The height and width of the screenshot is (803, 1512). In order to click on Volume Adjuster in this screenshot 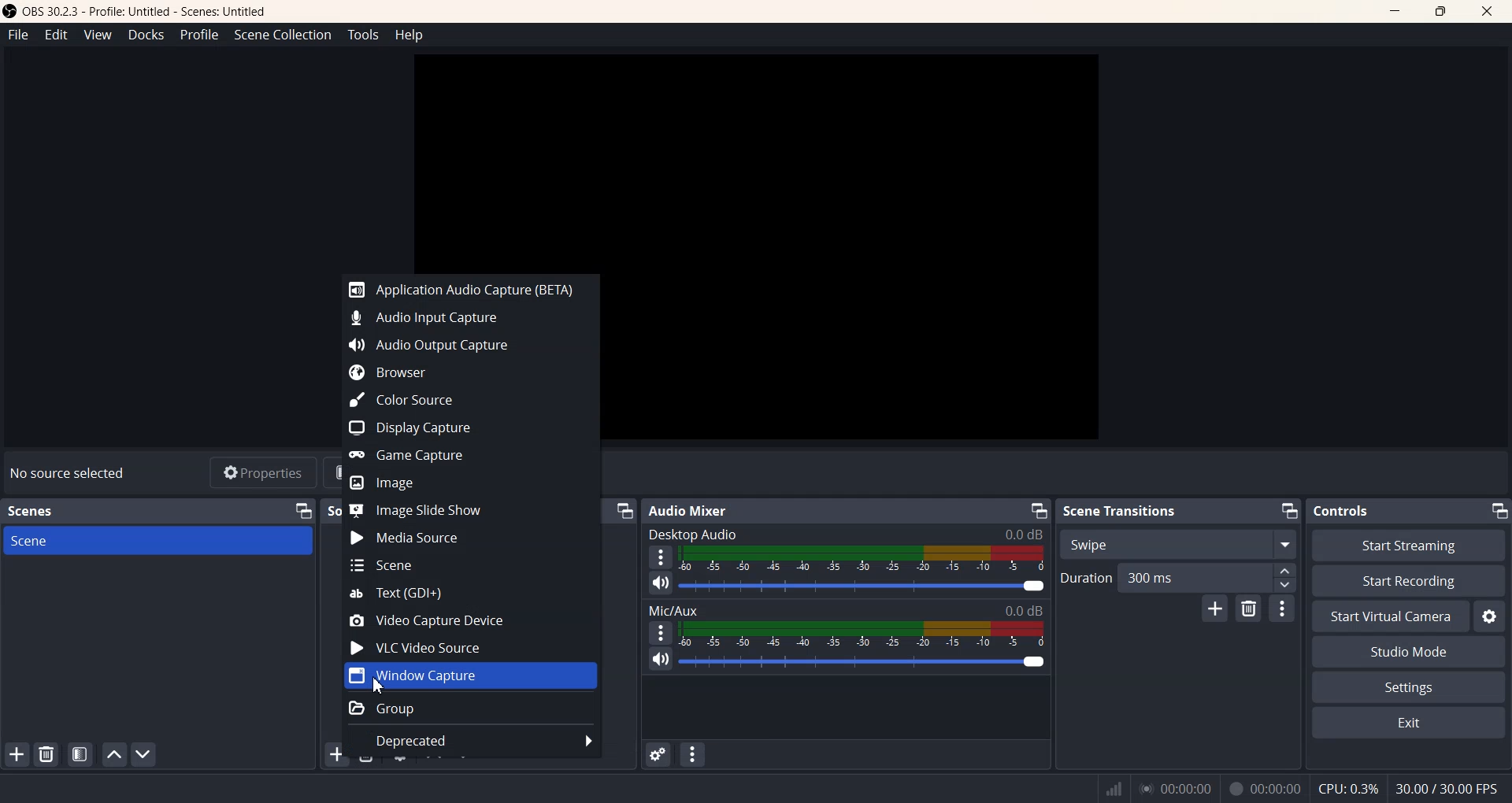, I will do `click(862, 661)`.